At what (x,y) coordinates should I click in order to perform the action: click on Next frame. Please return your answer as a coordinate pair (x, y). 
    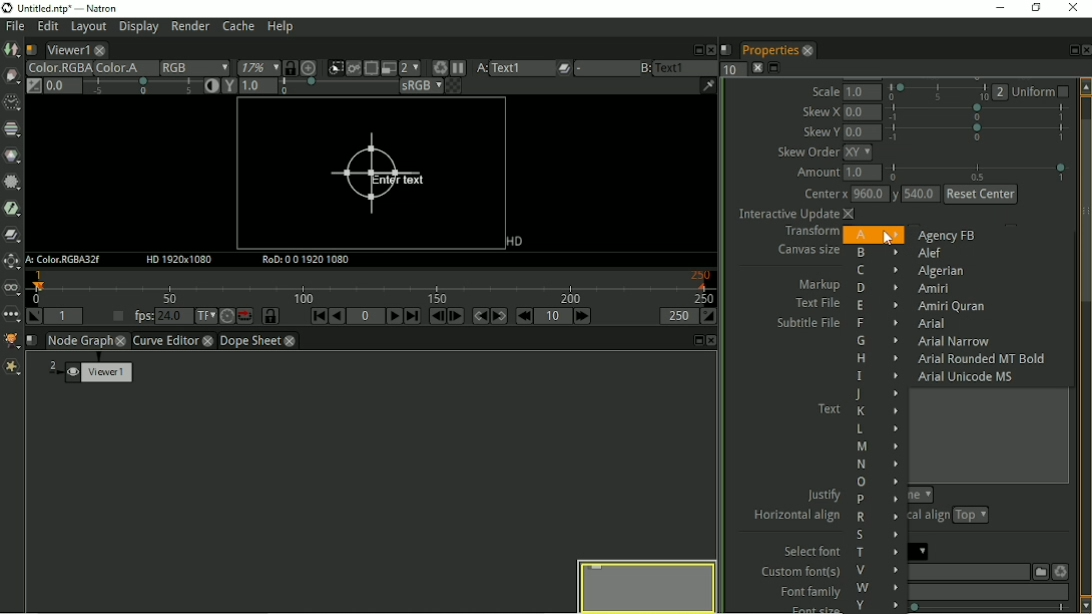
    Looking at the image, I should click on (455, 316).